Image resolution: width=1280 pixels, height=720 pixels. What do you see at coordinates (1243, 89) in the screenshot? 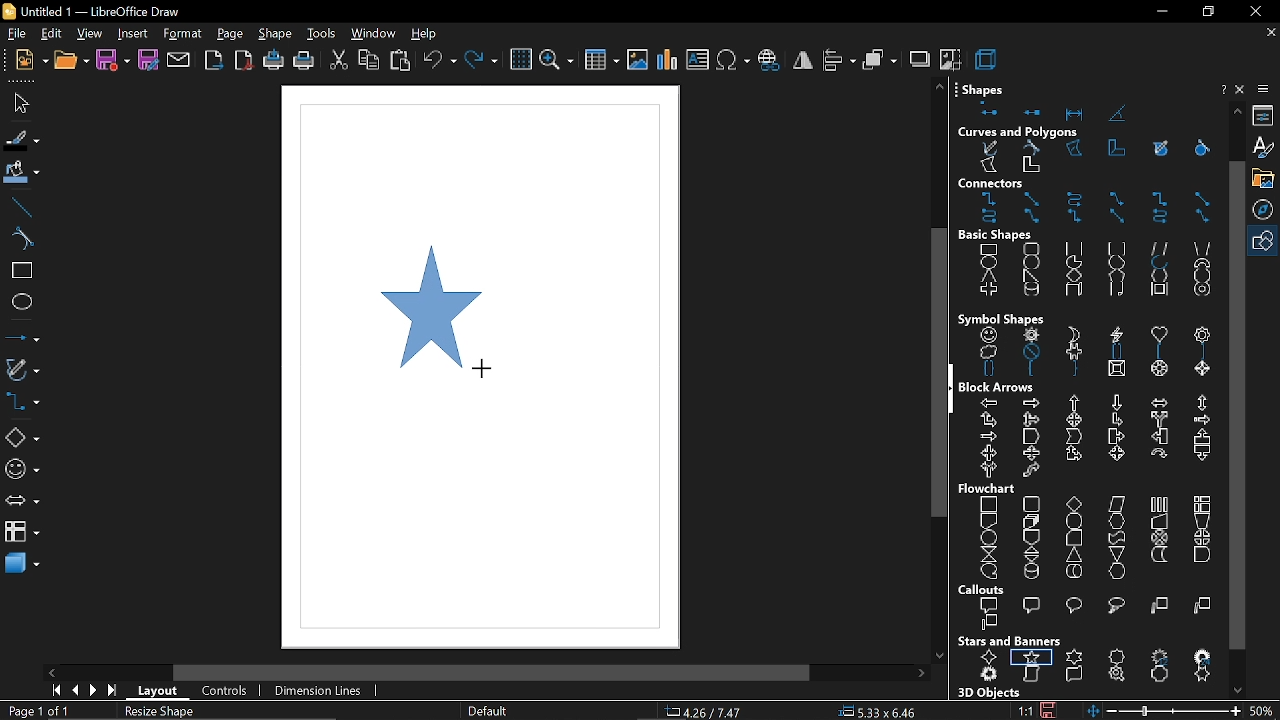
I see `close` at bounding box center [1243, 89].